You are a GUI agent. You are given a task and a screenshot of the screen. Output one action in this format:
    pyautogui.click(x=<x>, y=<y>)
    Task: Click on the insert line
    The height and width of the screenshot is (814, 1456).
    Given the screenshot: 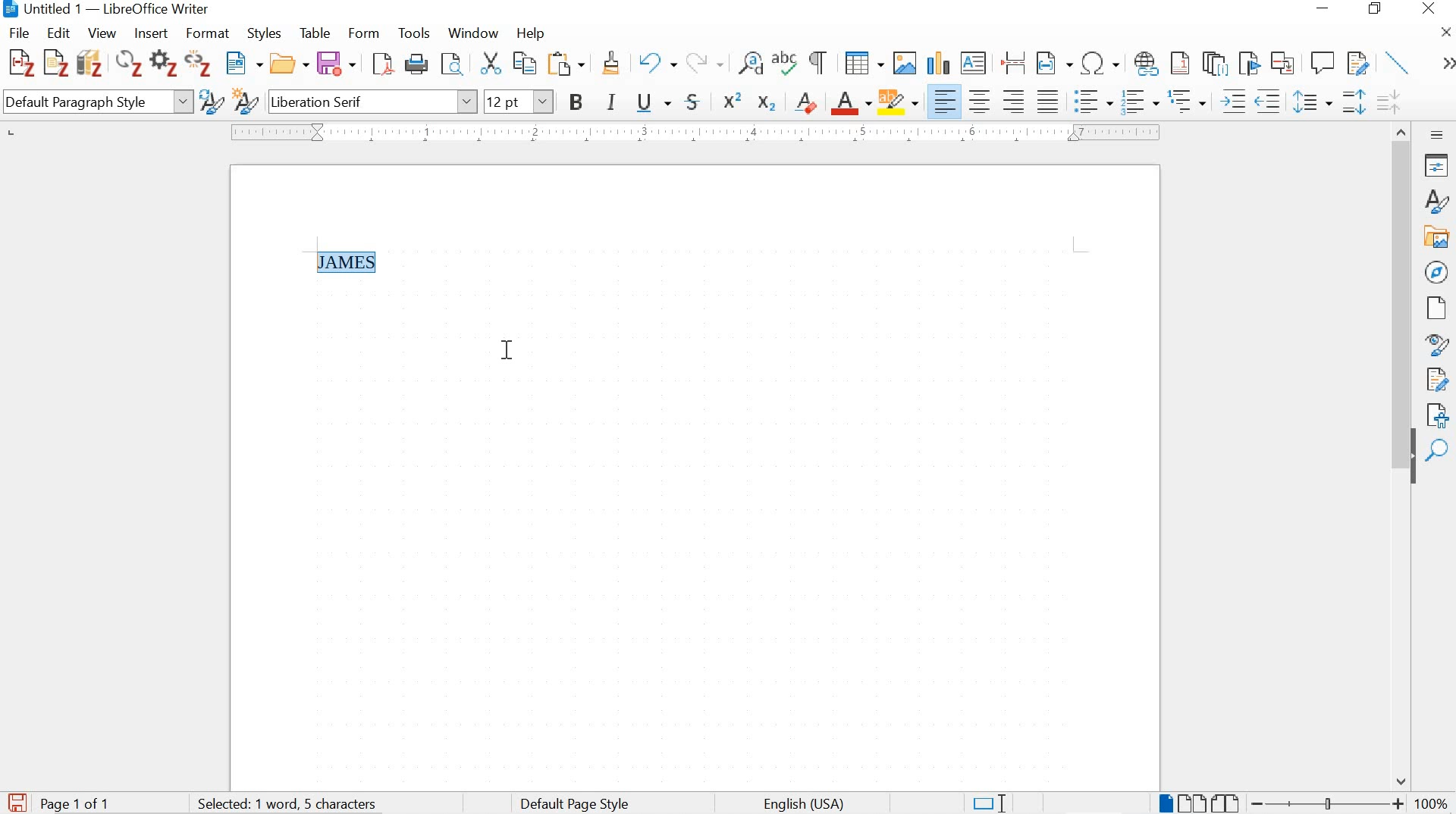 What is the action you would take?
    pyautogui.click(x=1398, y=62)
    